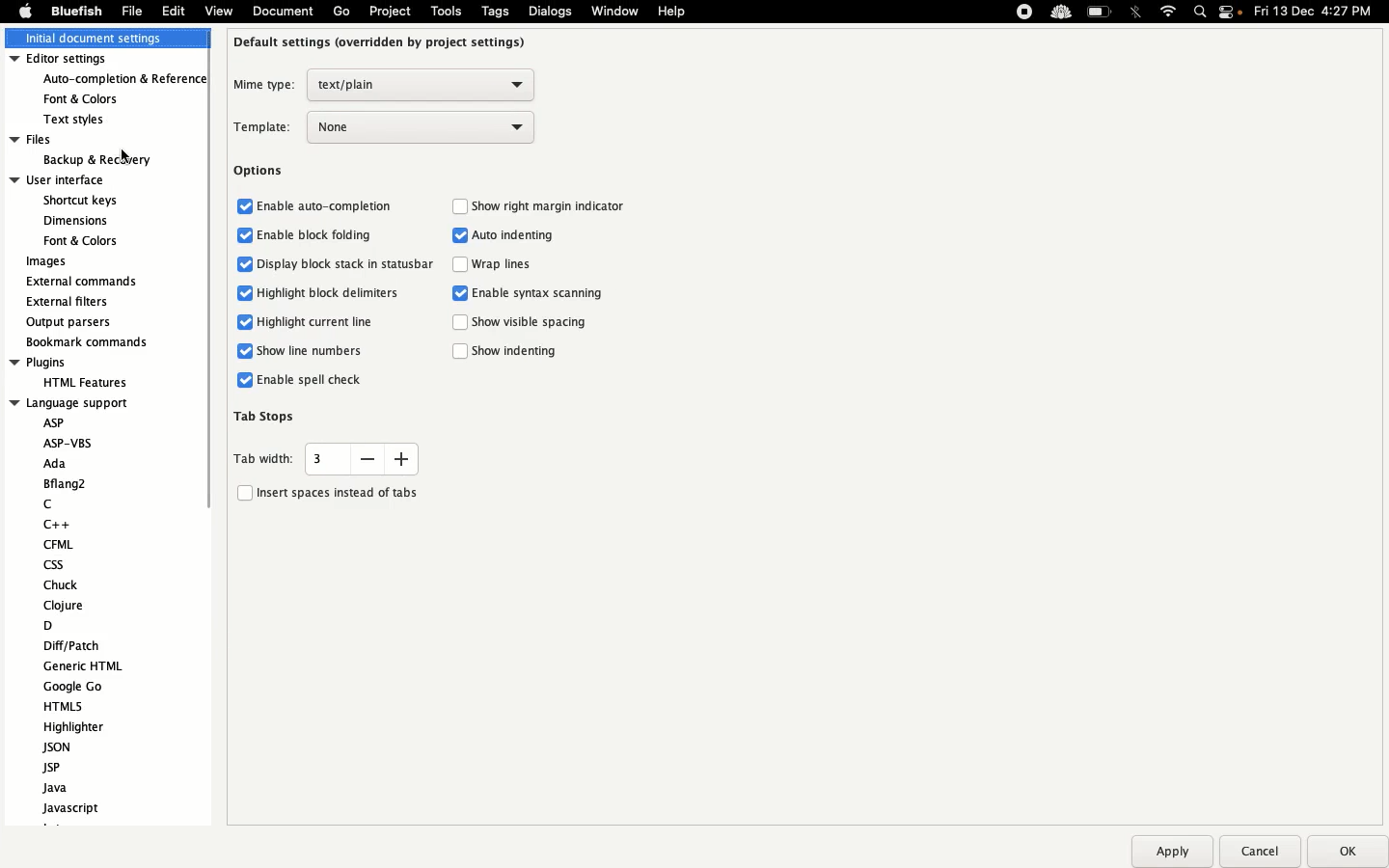 The width and height of the screenshot is (1389, 868). Describe the element at coordinates (1101, 12) in the screenshot. I see `Charge` at that location.